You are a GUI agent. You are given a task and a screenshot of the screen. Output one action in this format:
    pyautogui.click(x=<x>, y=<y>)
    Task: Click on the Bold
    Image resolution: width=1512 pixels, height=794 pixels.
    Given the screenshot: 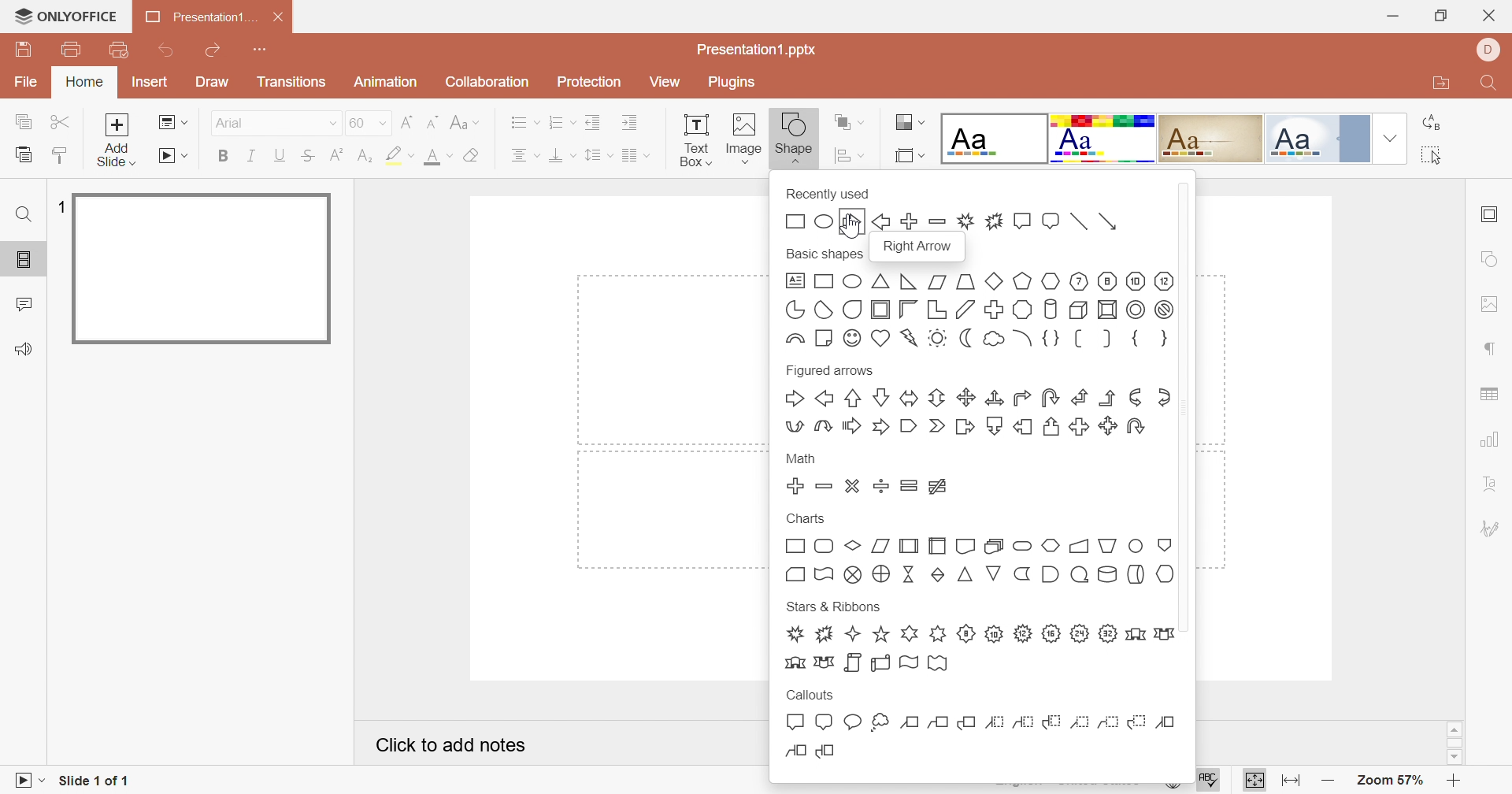 What is the action you would take?
    pyautogui.click(x=221, y=154)
    